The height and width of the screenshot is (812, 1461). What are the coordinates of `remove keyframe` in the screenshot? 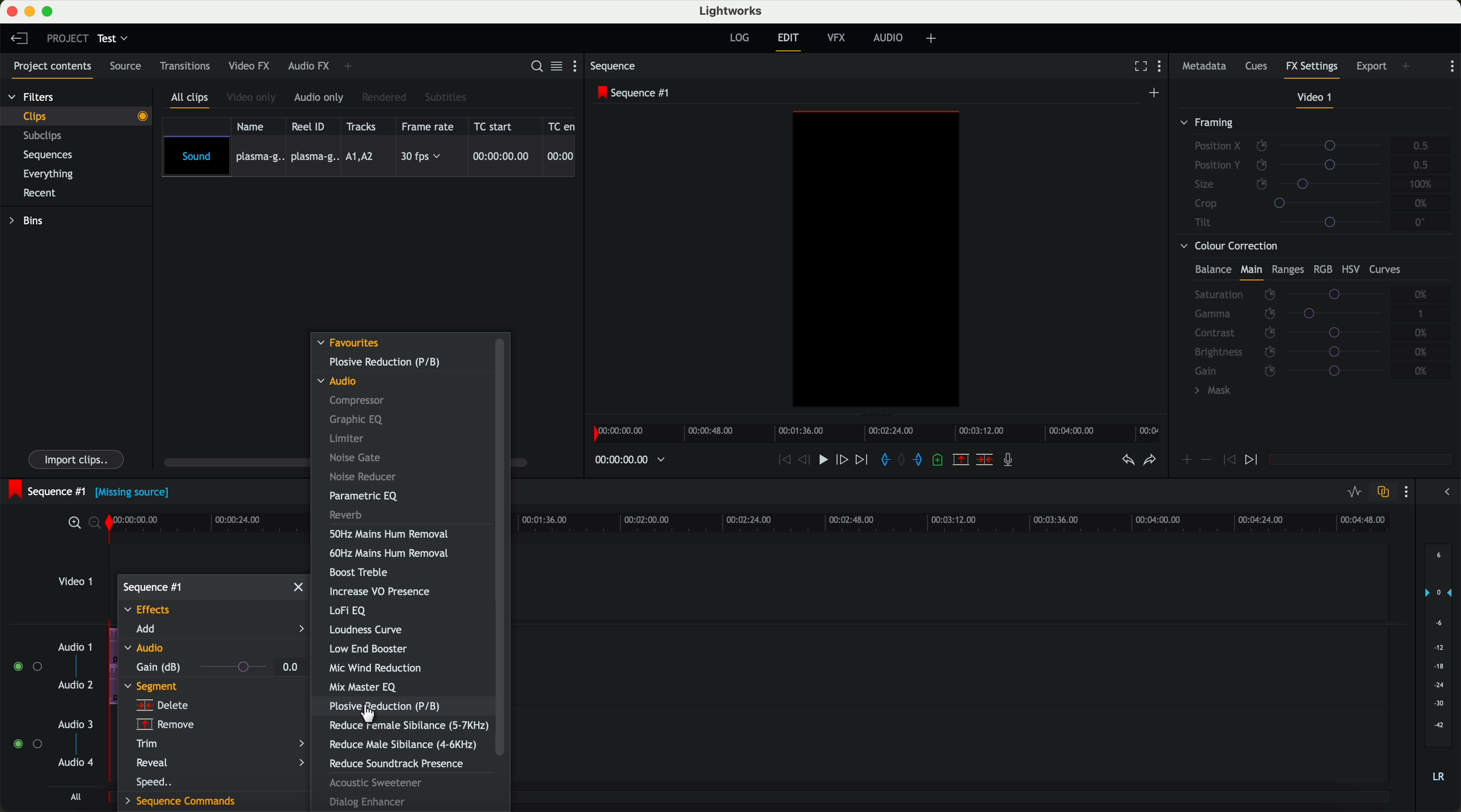 It's located at (1207, 460).